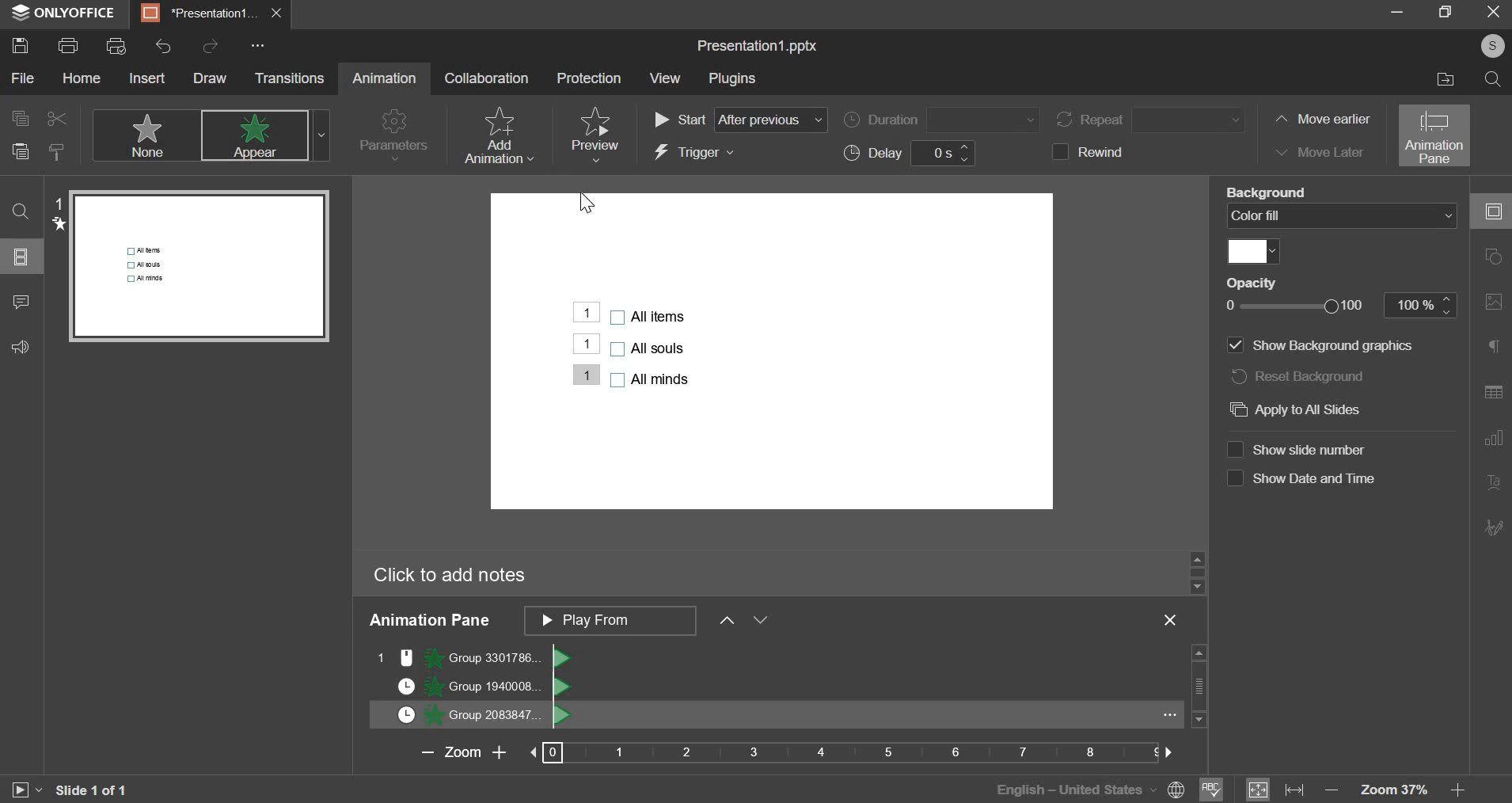  Describe the element at coordinates (59, 151) in the screenshot. I see `copy style` at that location.